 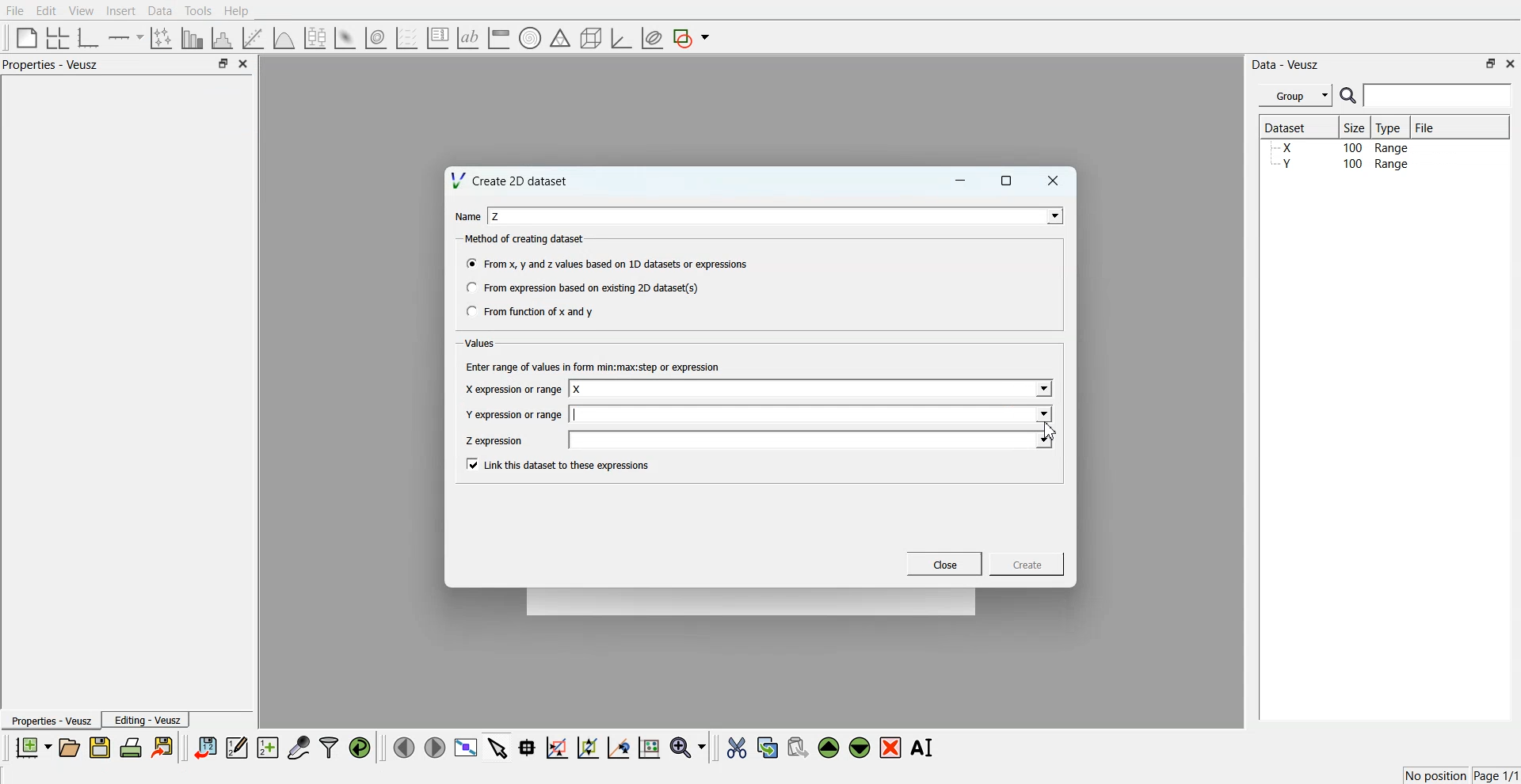 I want to click on 3D Volume, so click(x=375, y=38).